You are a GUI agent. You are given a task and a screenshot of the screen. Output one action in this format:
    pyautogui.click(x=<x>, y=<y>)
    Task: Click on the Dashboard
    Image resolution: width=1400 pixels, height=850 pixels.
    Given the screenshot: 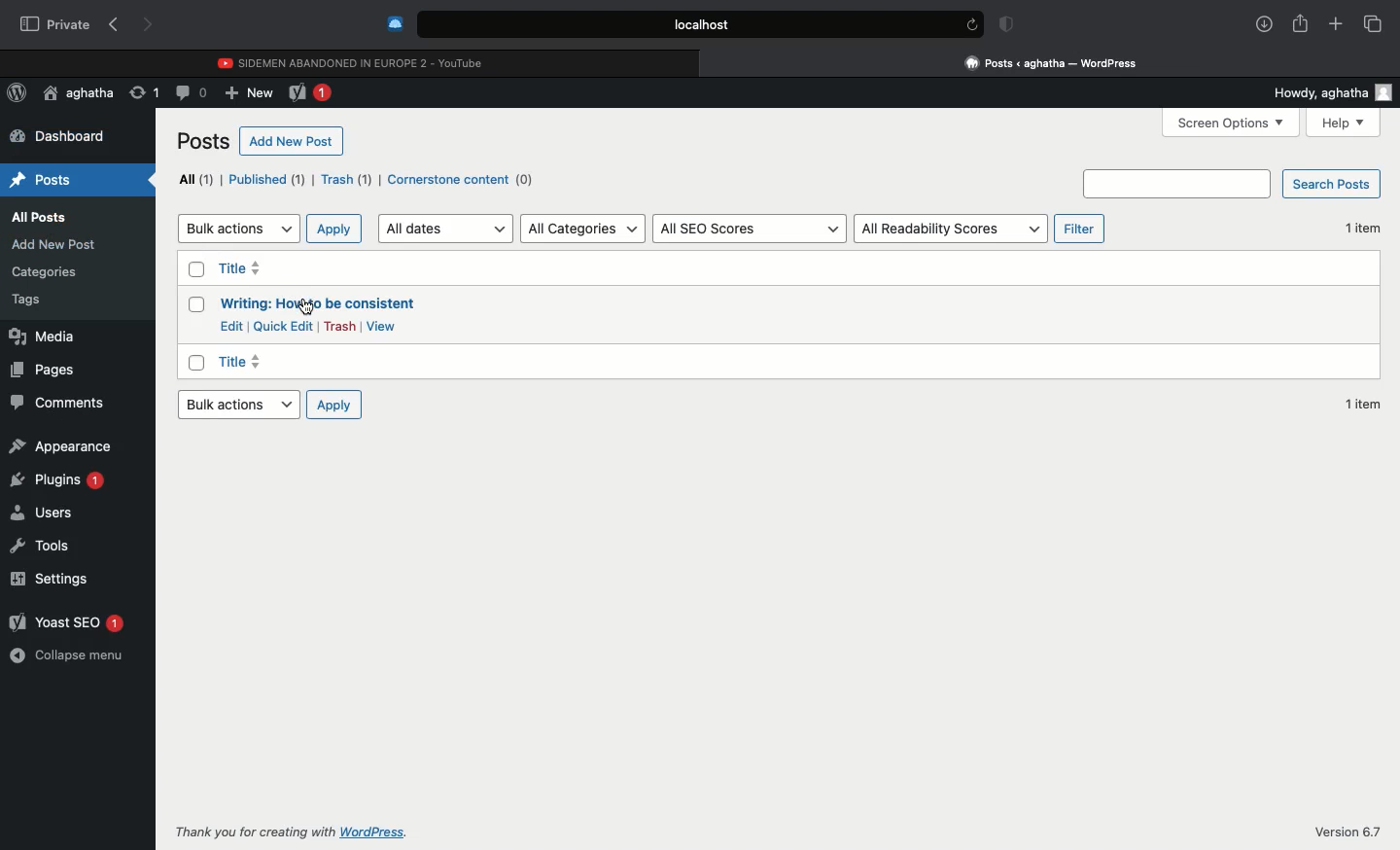 What is the action you would take?
    pyautogui.click(x=60, y=137)
    